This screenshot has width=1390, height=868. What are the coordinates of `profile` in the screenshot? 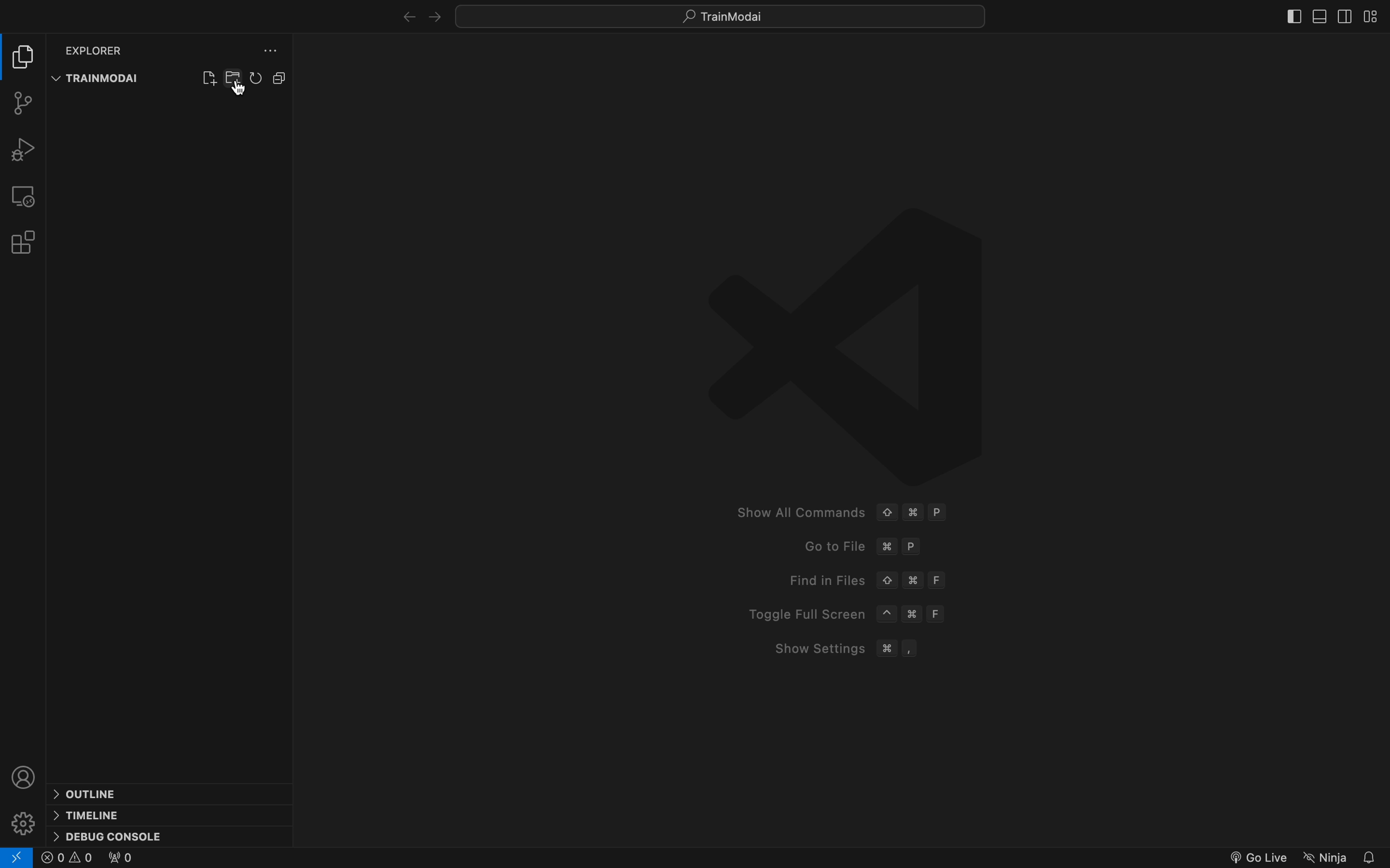 It's located at (25, 776).